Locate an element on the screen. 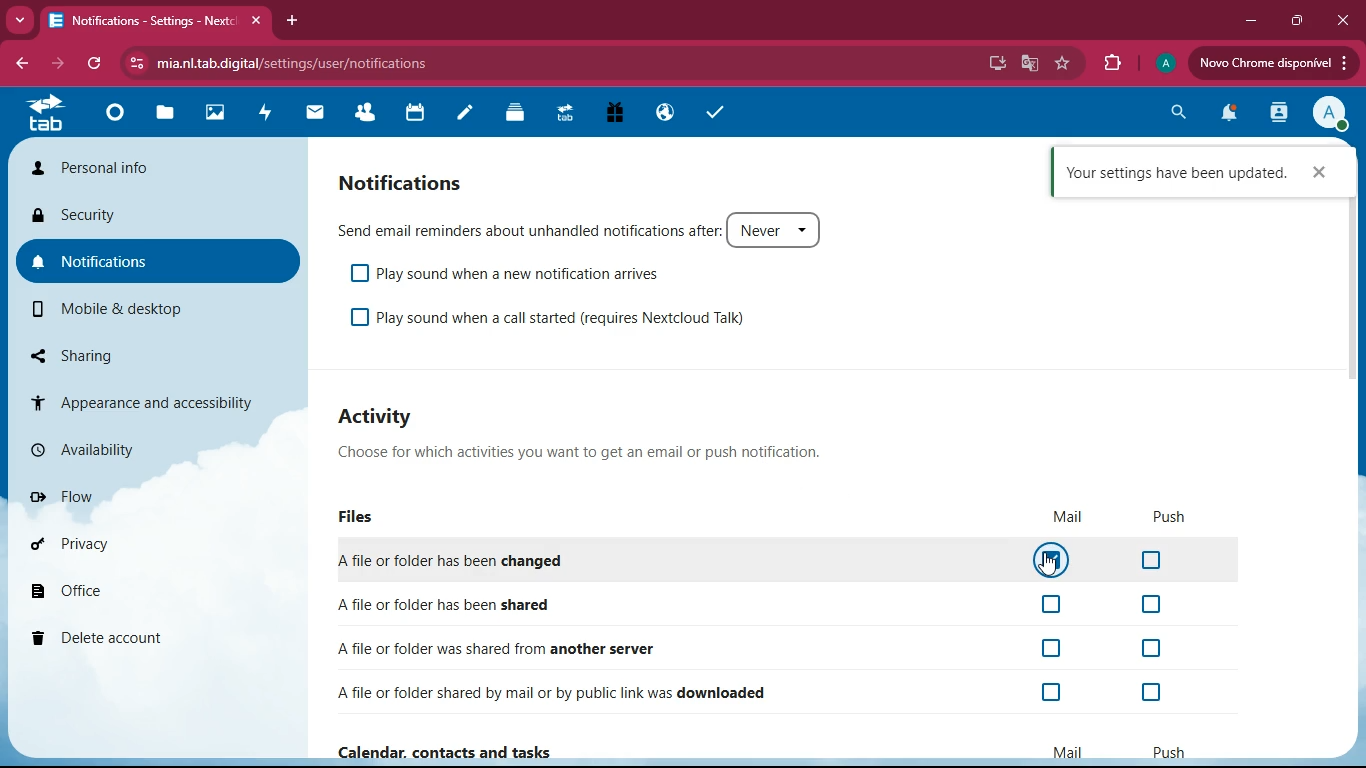  sharing is located at coordinates (101, 352).